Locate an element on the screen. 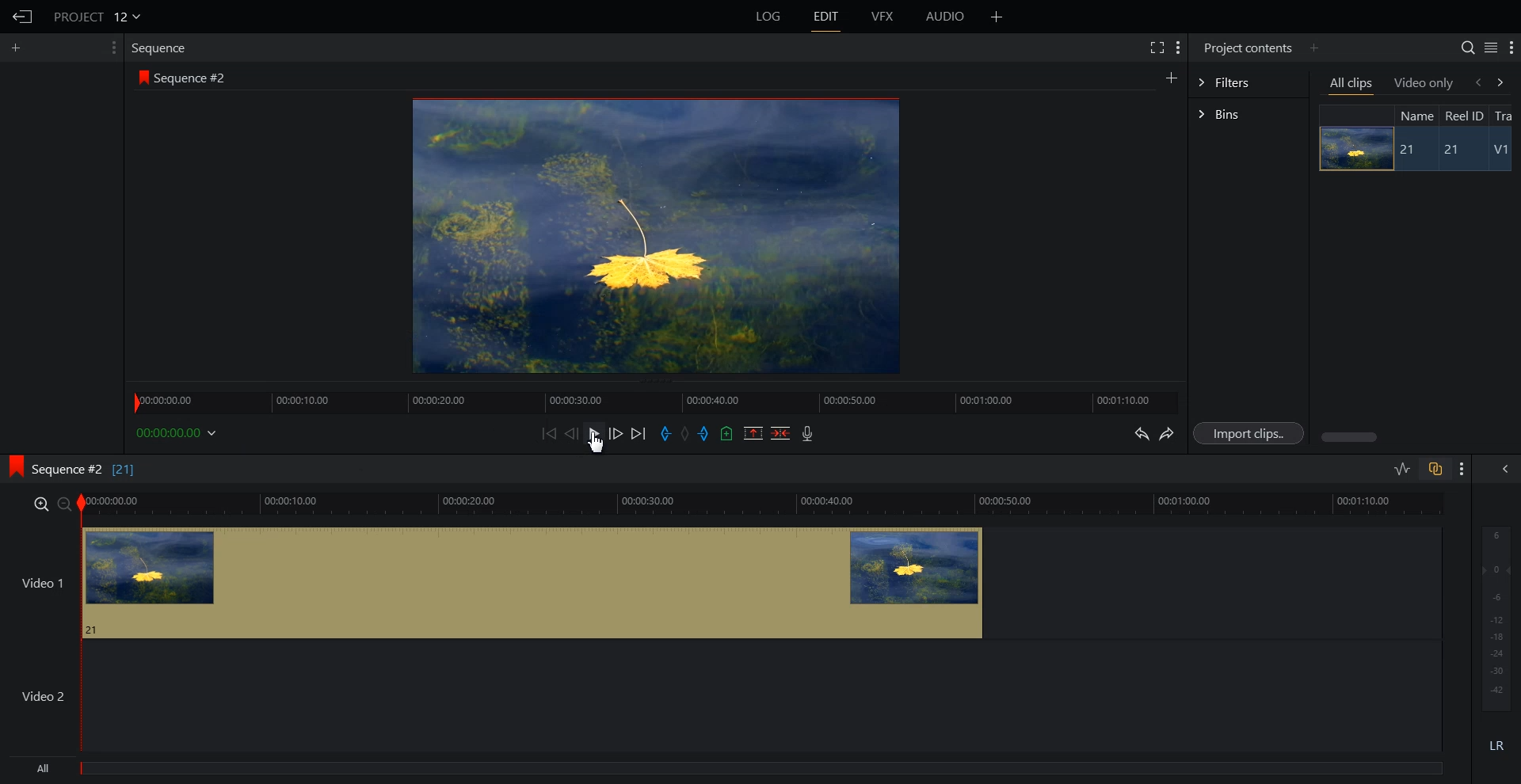  Sequence is located at coordinates (162, 48).